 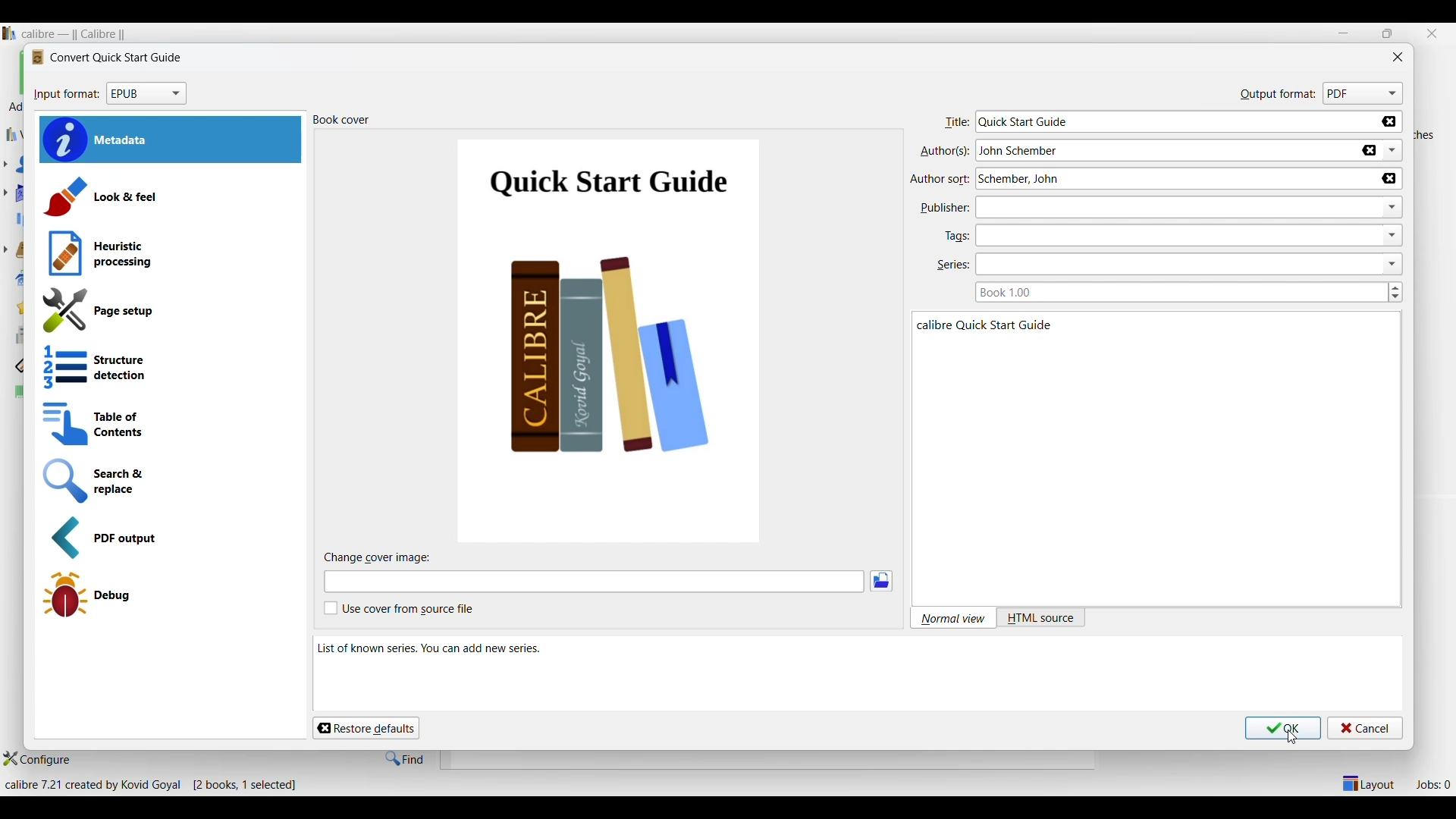 I want to click on Close interface, so click(x=1432, y=34).